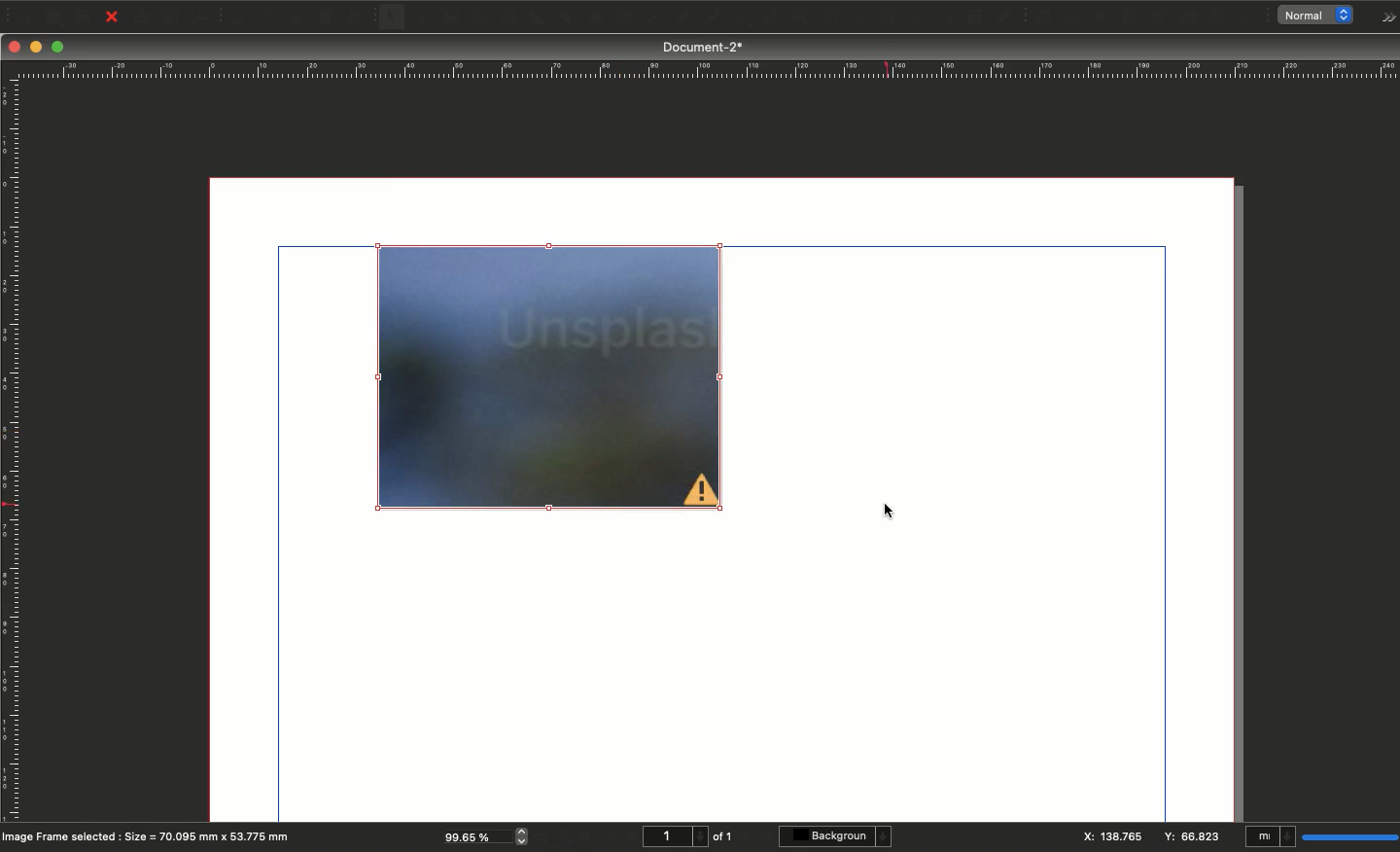  Describe the element at coordinates (708, 18) in the screenshot. I see `Freehand line` at that location.